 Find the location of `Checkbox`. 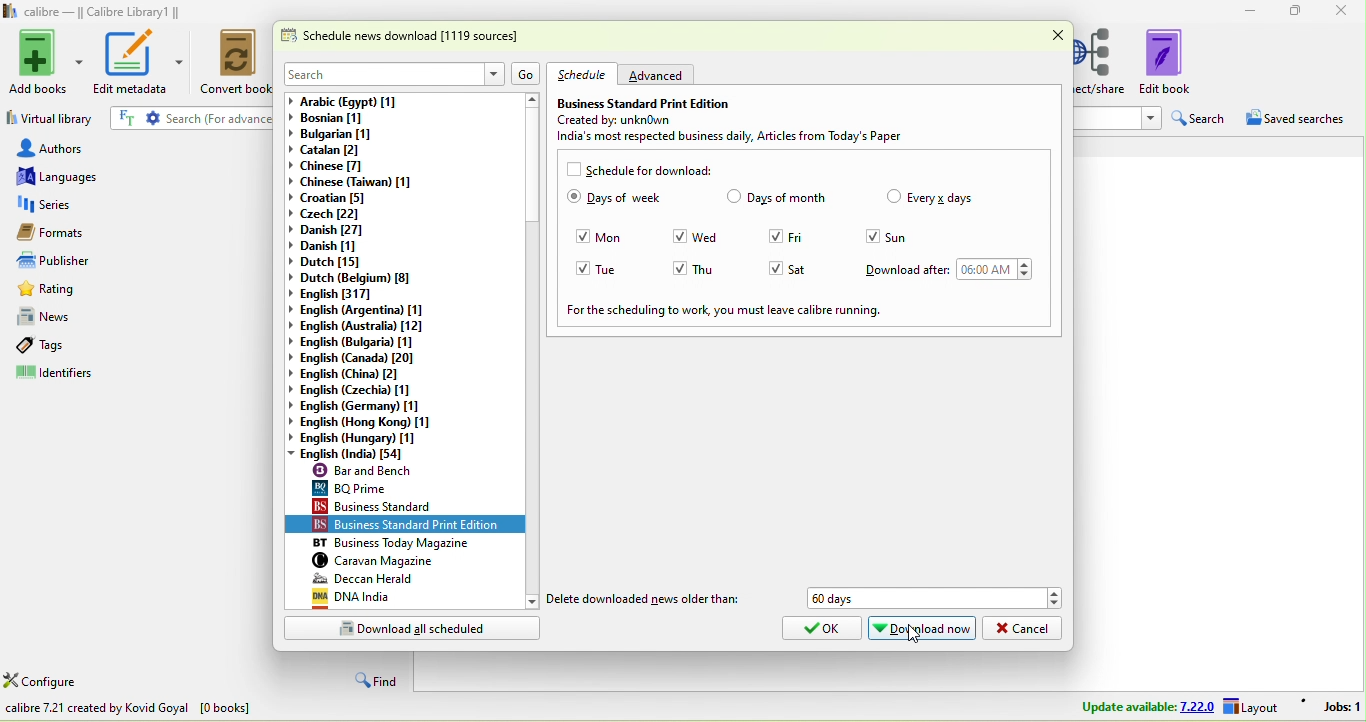

Checkbox is located at coordinates (869, 238).